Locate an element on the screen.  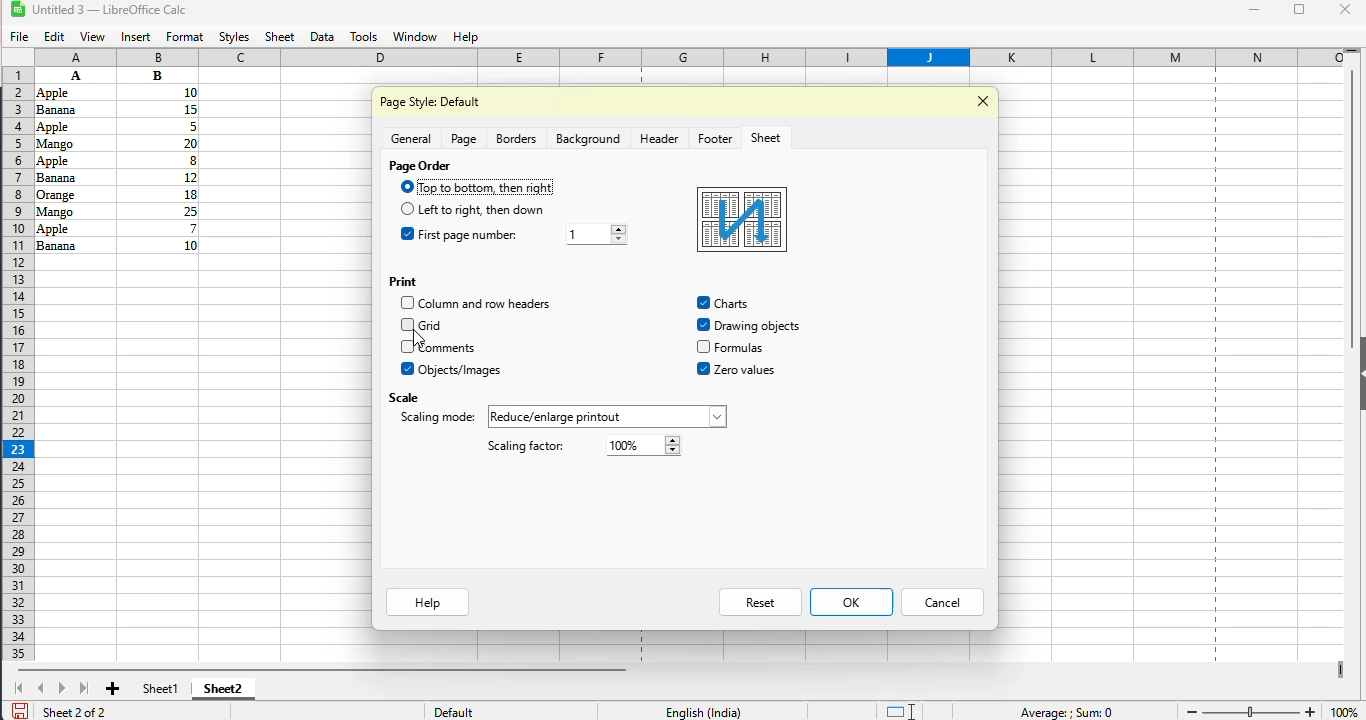
 is located at coordinates (158, 75).